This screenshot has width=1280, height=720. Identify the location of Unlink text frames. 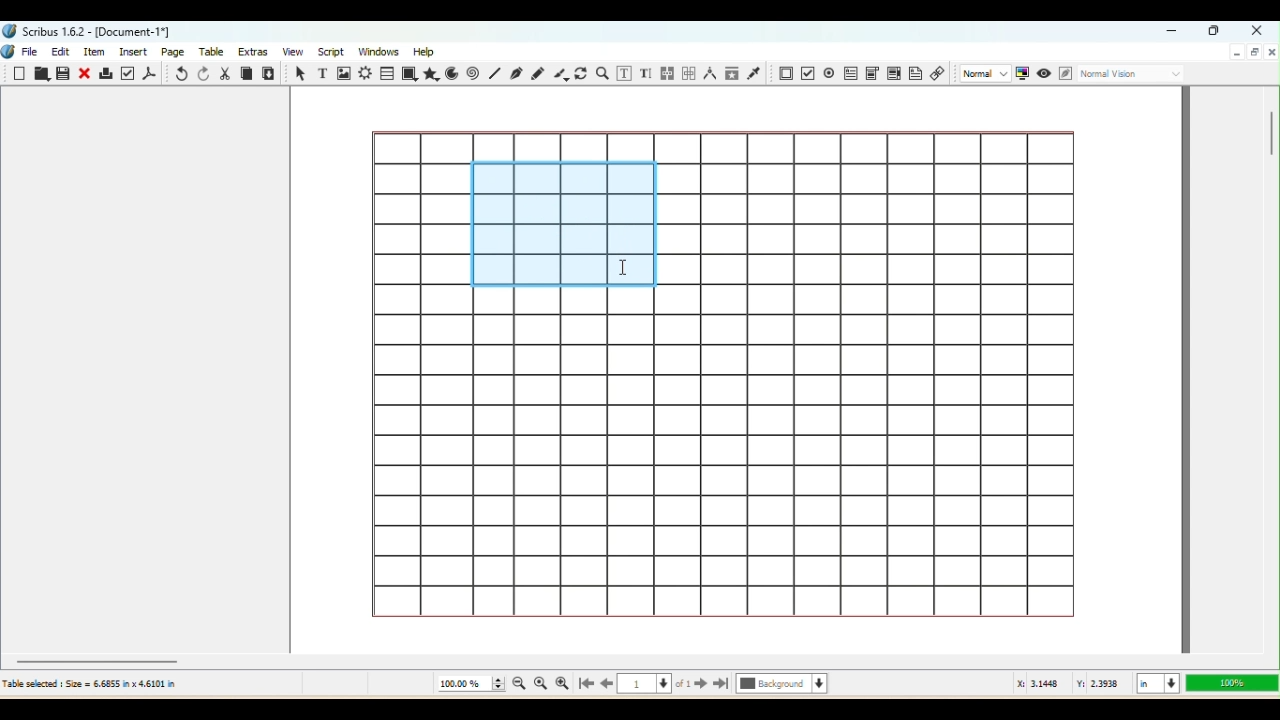
(687, 72).